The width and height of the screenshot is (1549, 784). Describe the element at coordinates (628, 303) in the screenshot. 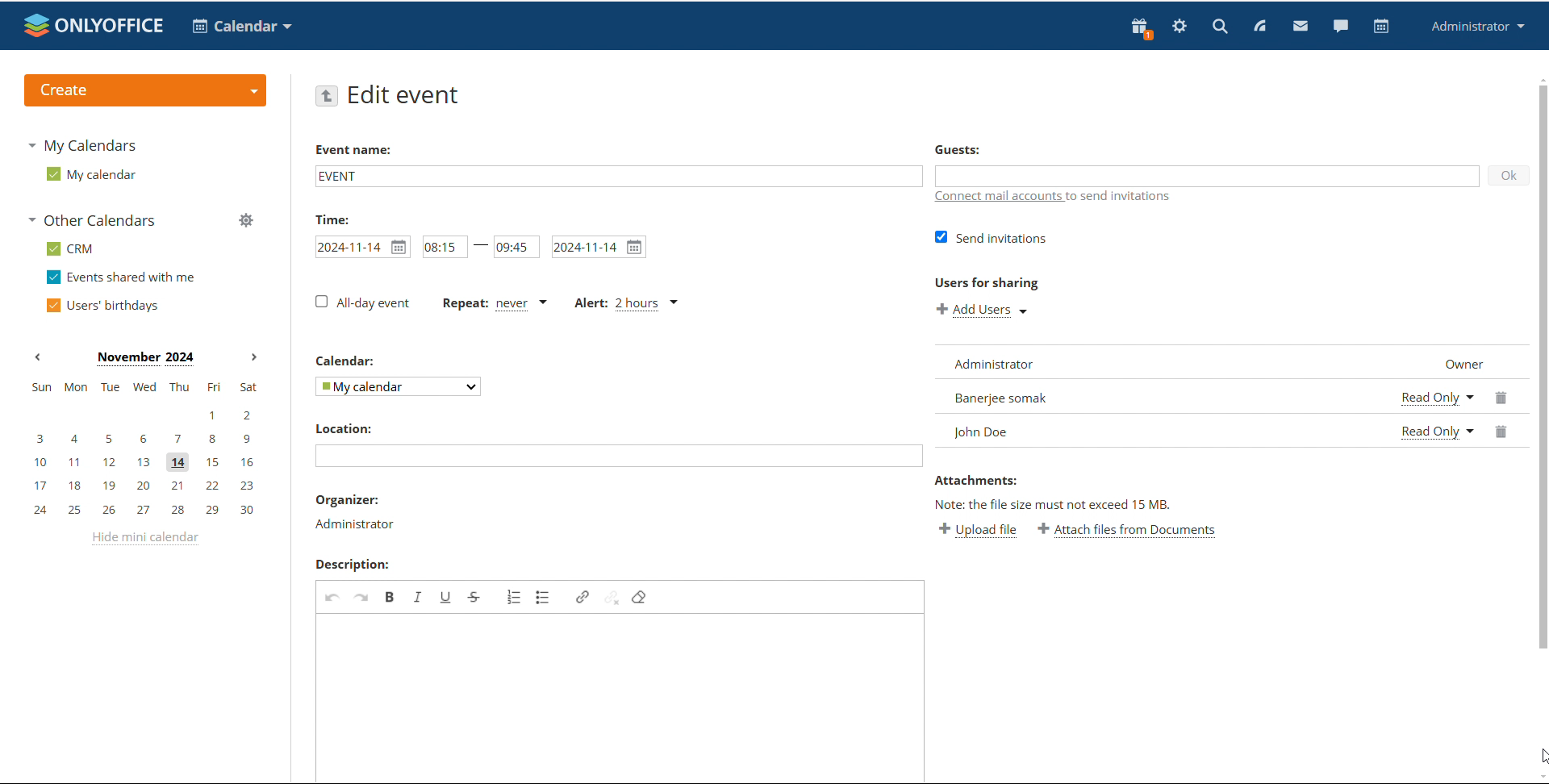

I see `alert type` at that location.